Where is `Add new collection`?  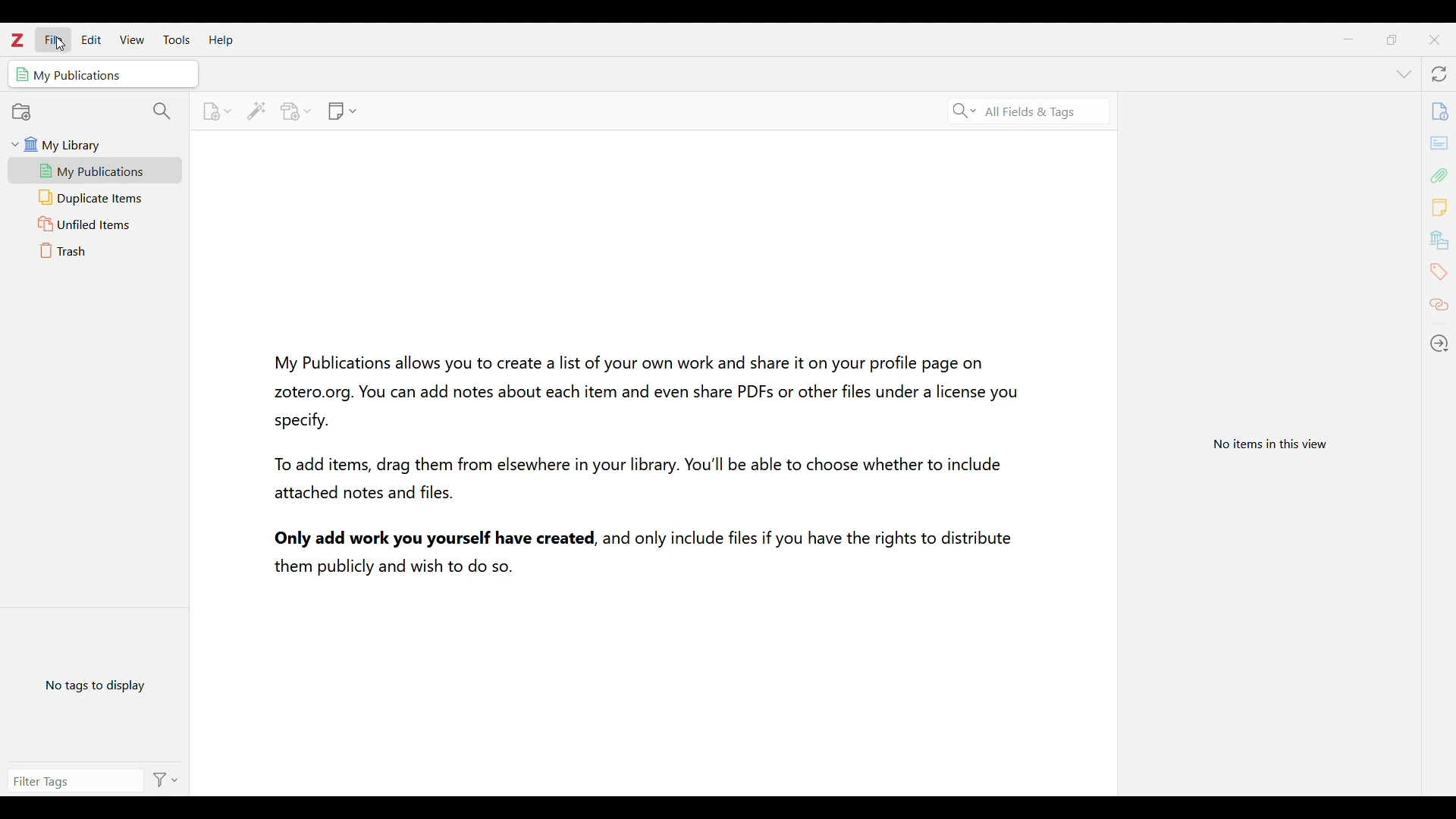
Add new collection is located at coordinates (22, 112).